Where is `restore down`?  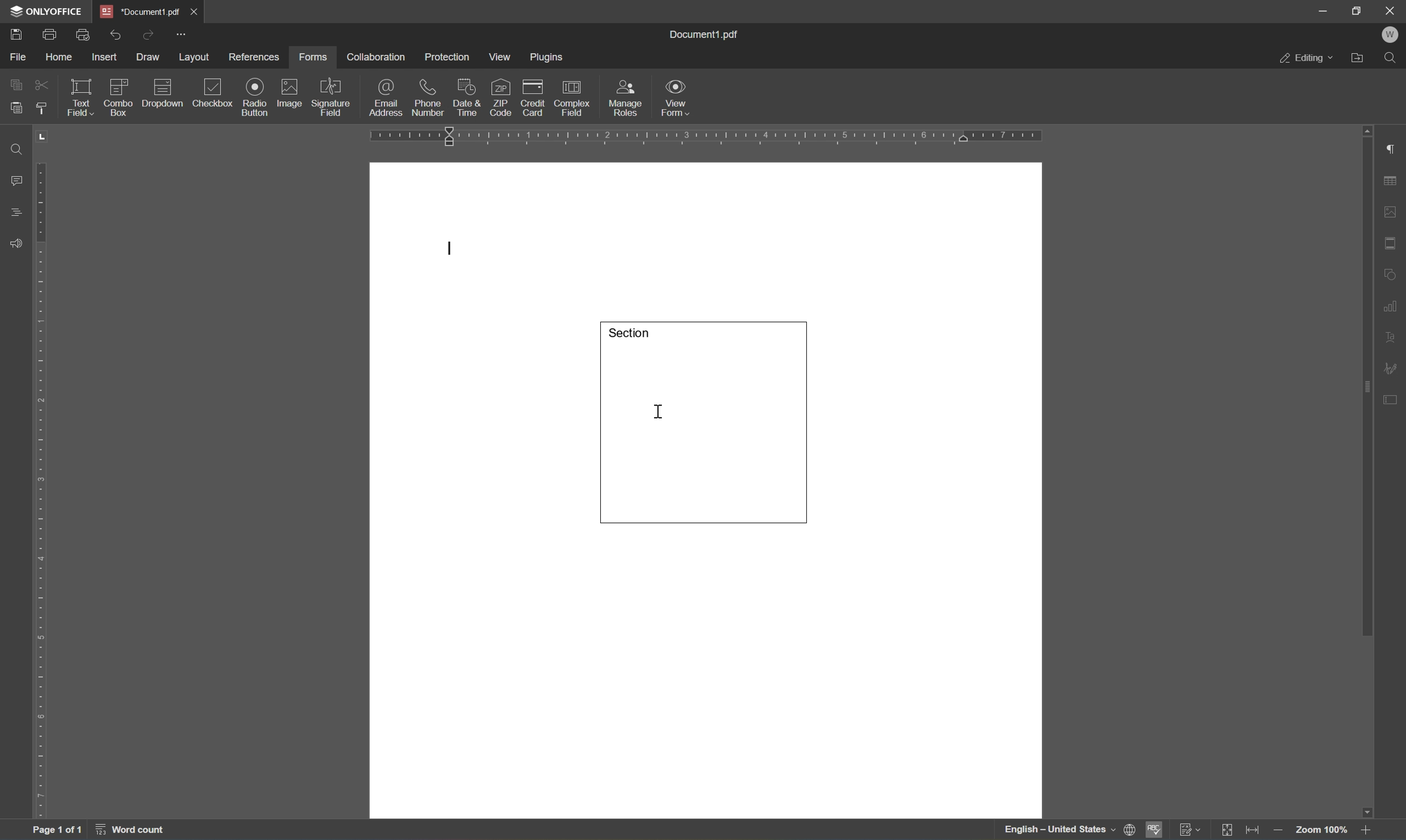
restore down is located at coordinates (1358, 11).